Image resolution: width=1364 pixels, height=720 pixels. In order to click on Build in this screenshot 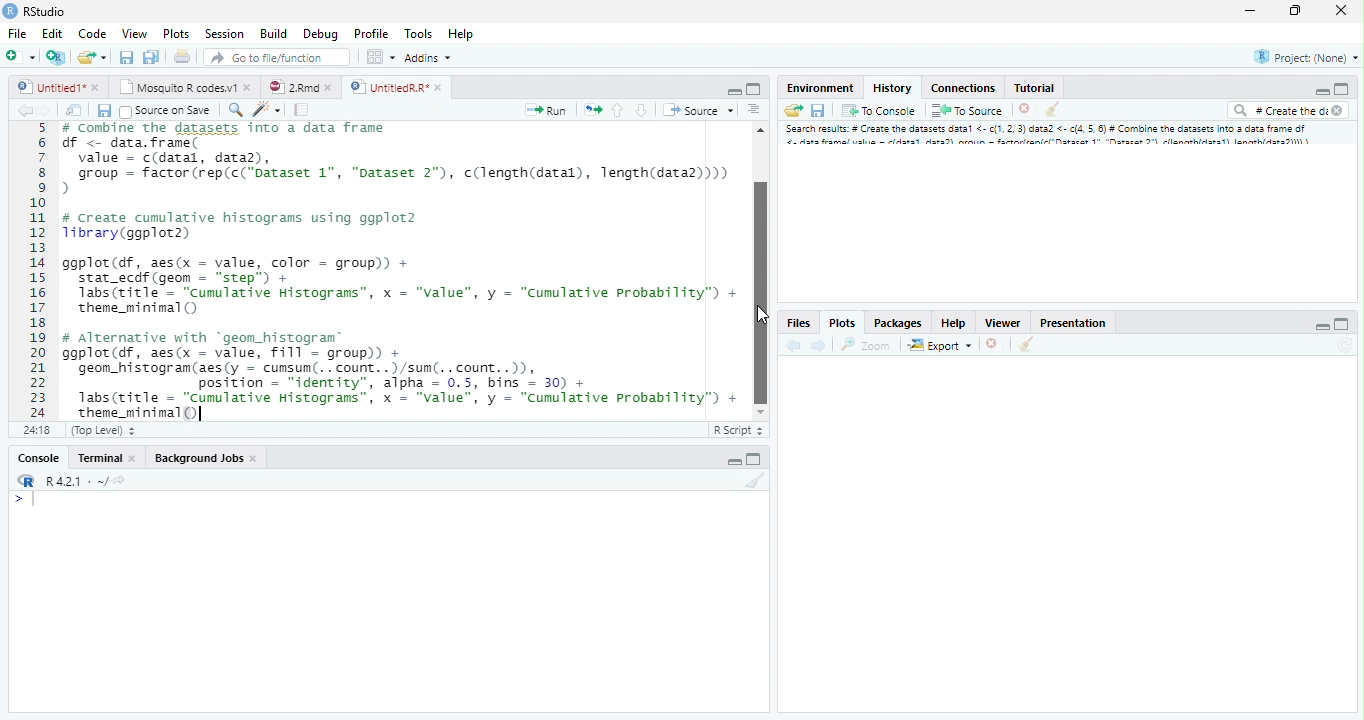, I will do `click(275, 34)`.